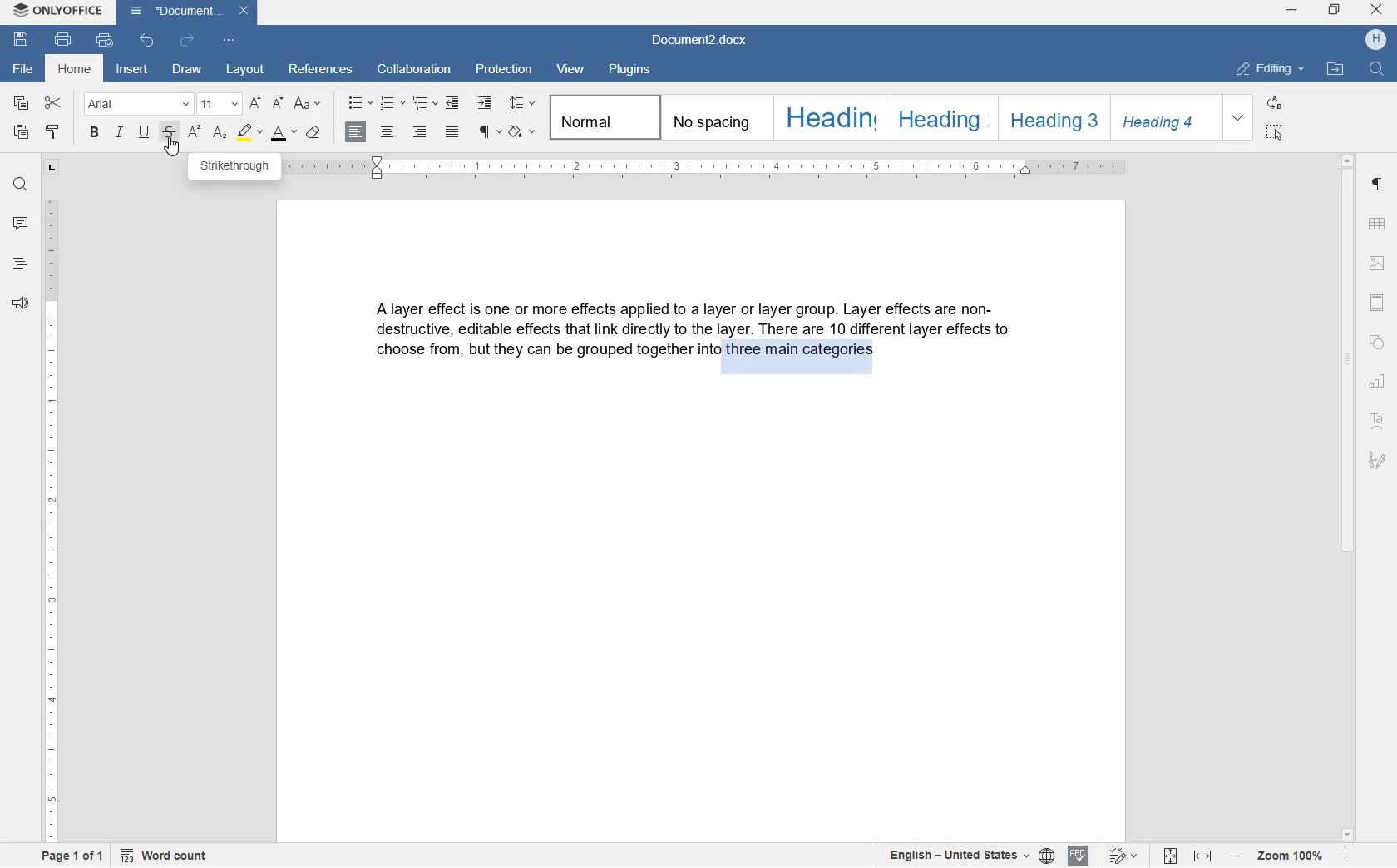  Describe the element at coordinates (218, 103) in the screenshot. I see `font size` at that location.